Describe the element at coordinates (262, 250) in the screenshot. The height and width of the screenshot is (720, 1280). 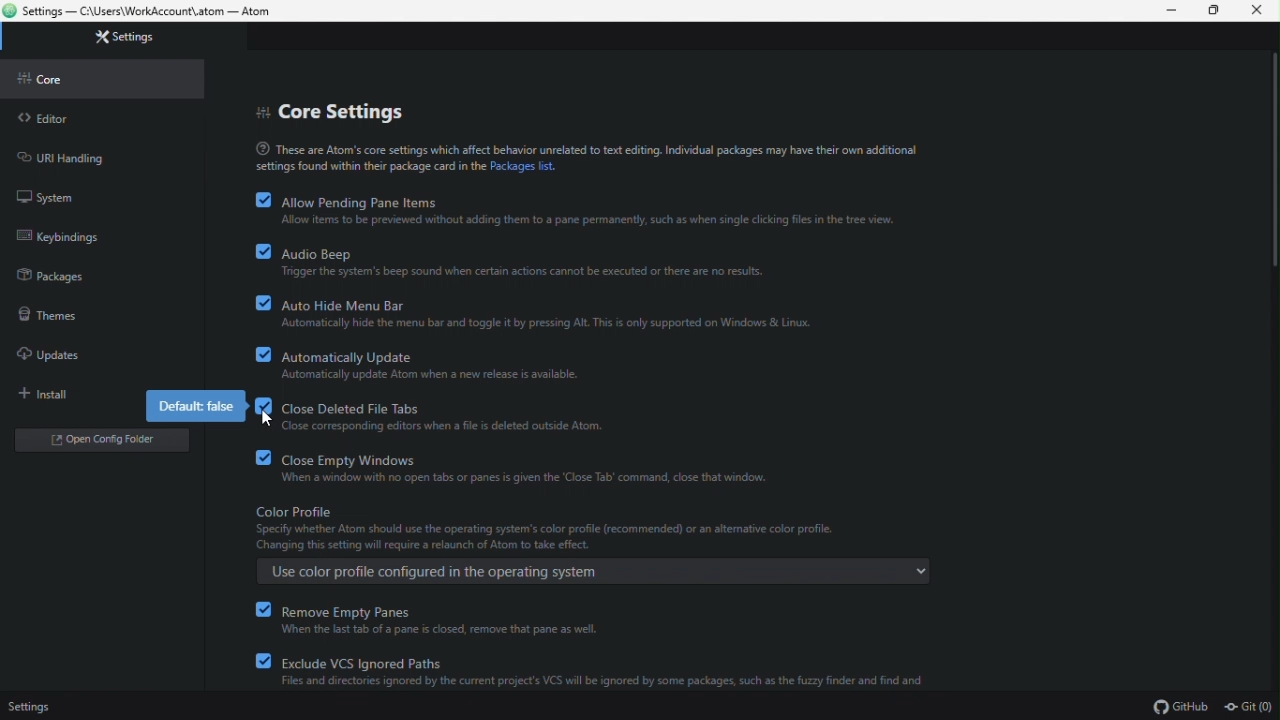
I see `checkbox` at that location.